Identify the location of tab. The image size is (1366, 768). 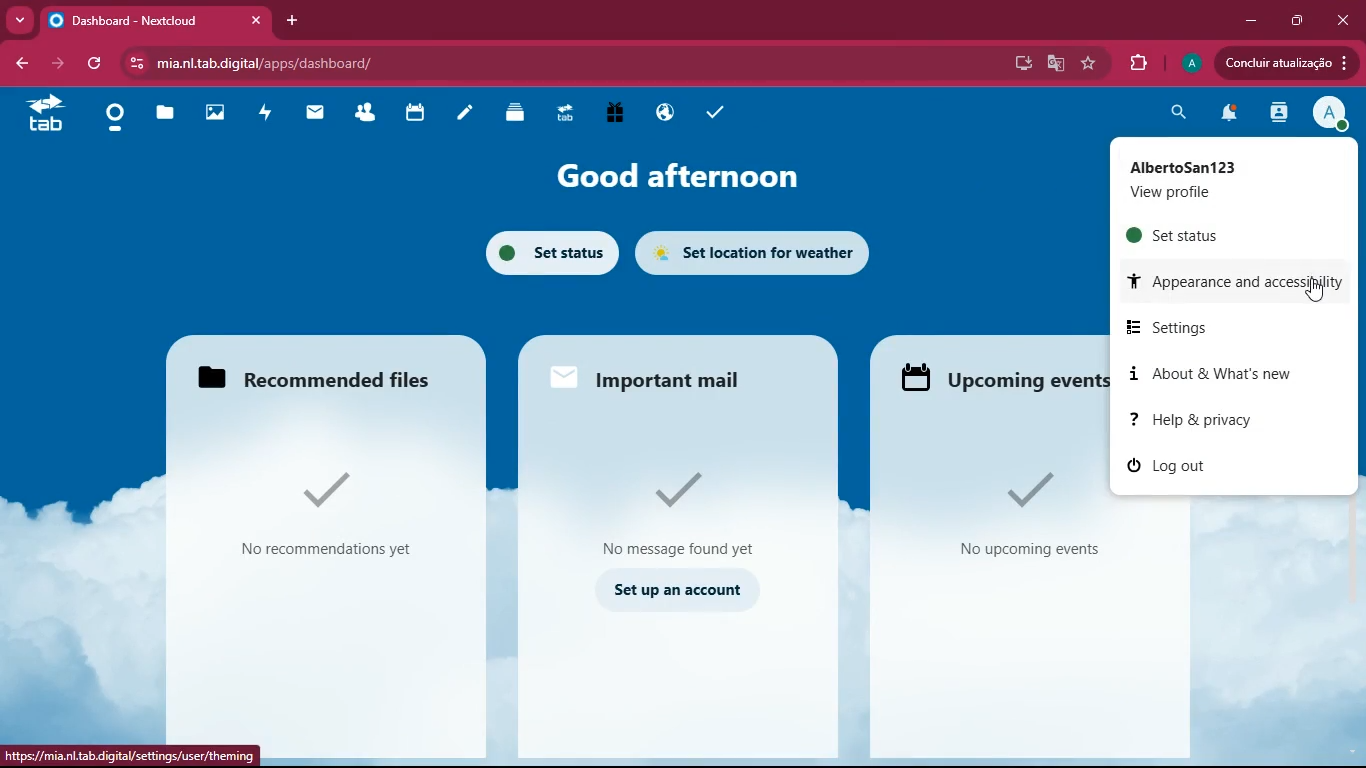
(47, 120).